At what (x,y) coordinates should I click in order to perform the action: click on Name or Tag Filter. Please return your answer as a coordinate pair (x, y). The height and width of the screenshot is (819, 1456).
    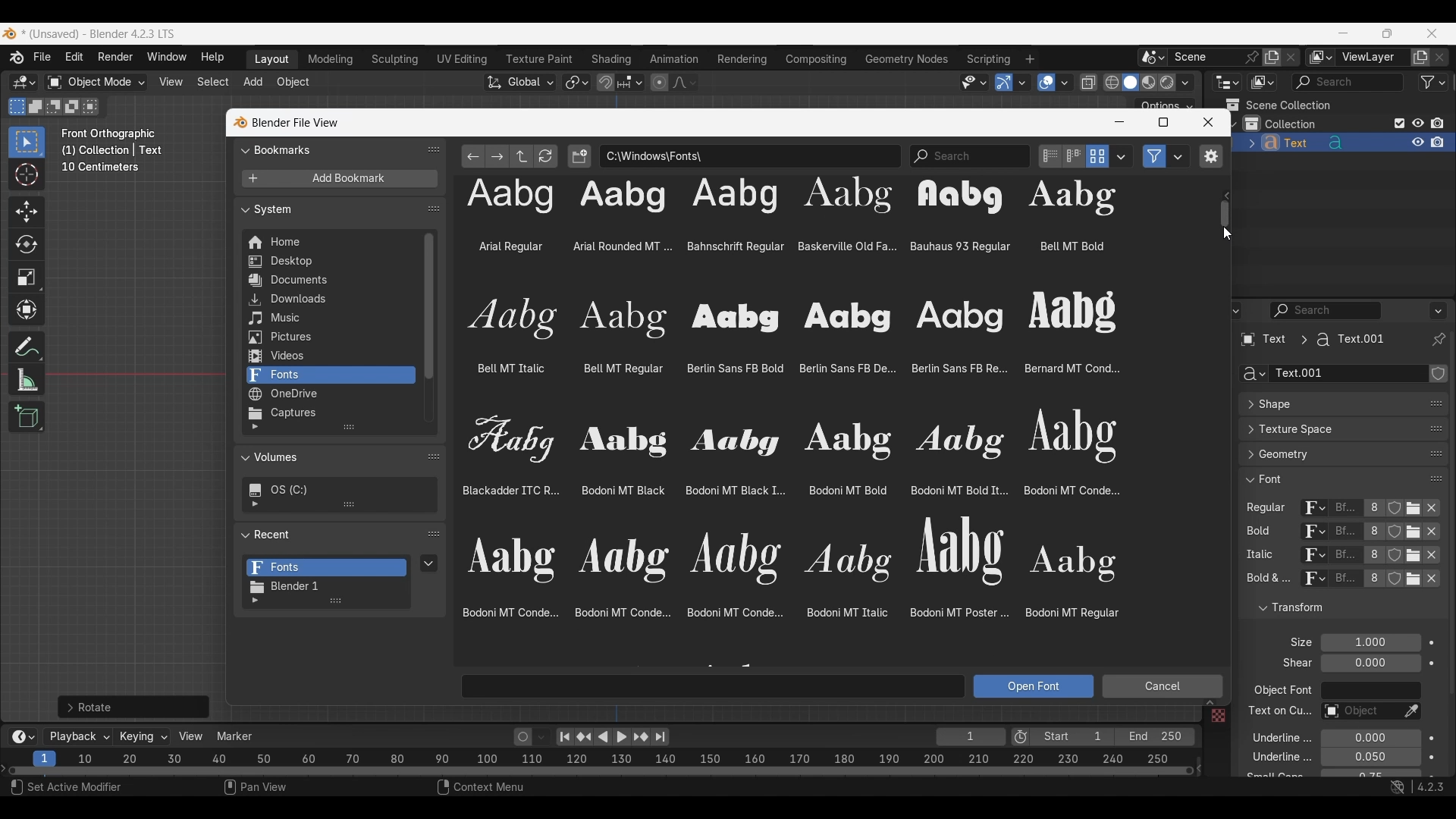
    Looking at the image, I should click on (970, 156).